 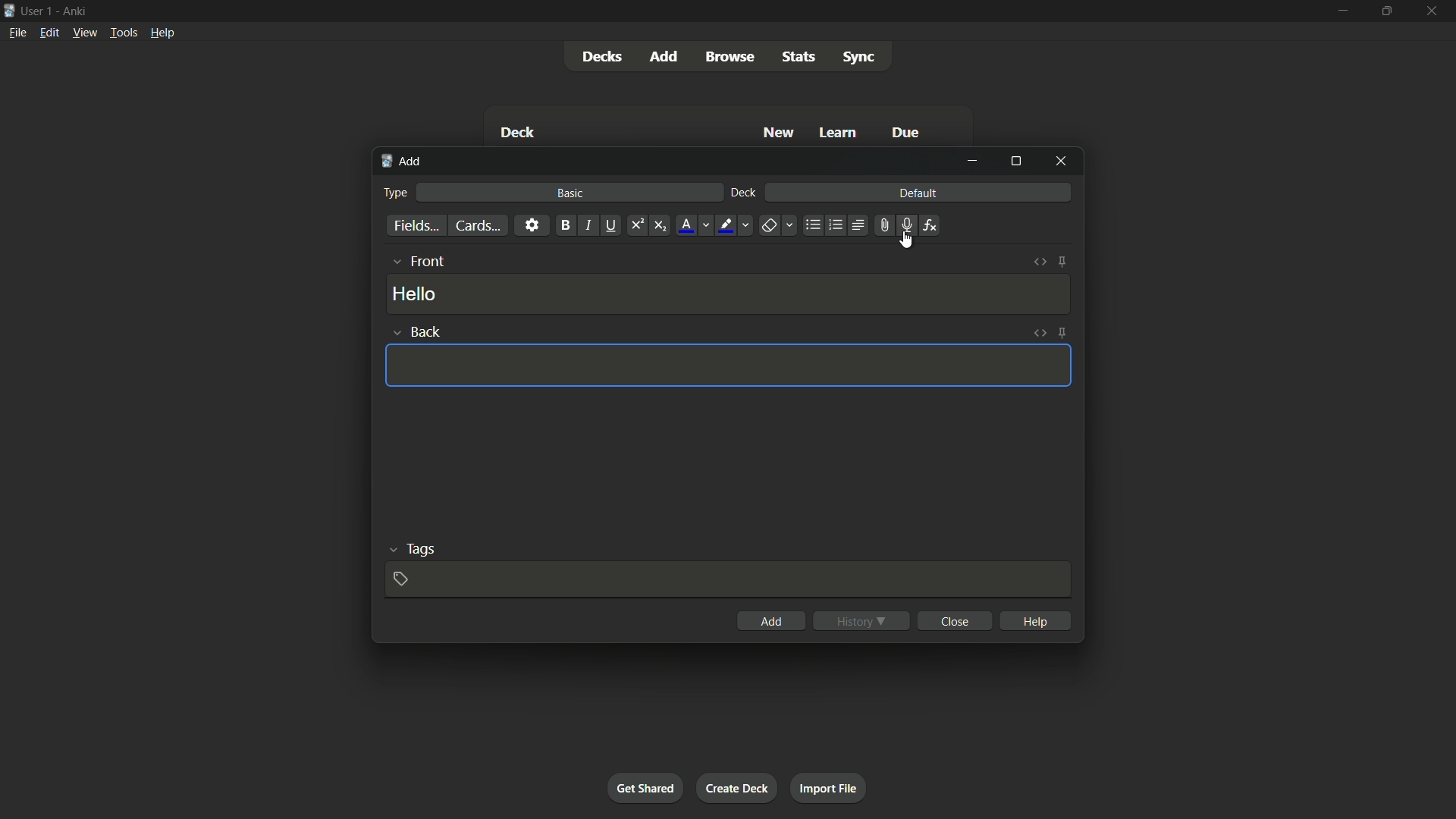 What do you see at coordinates (603, 58) in the screenshot?
I see `decks` at bounding box center [603, 58].